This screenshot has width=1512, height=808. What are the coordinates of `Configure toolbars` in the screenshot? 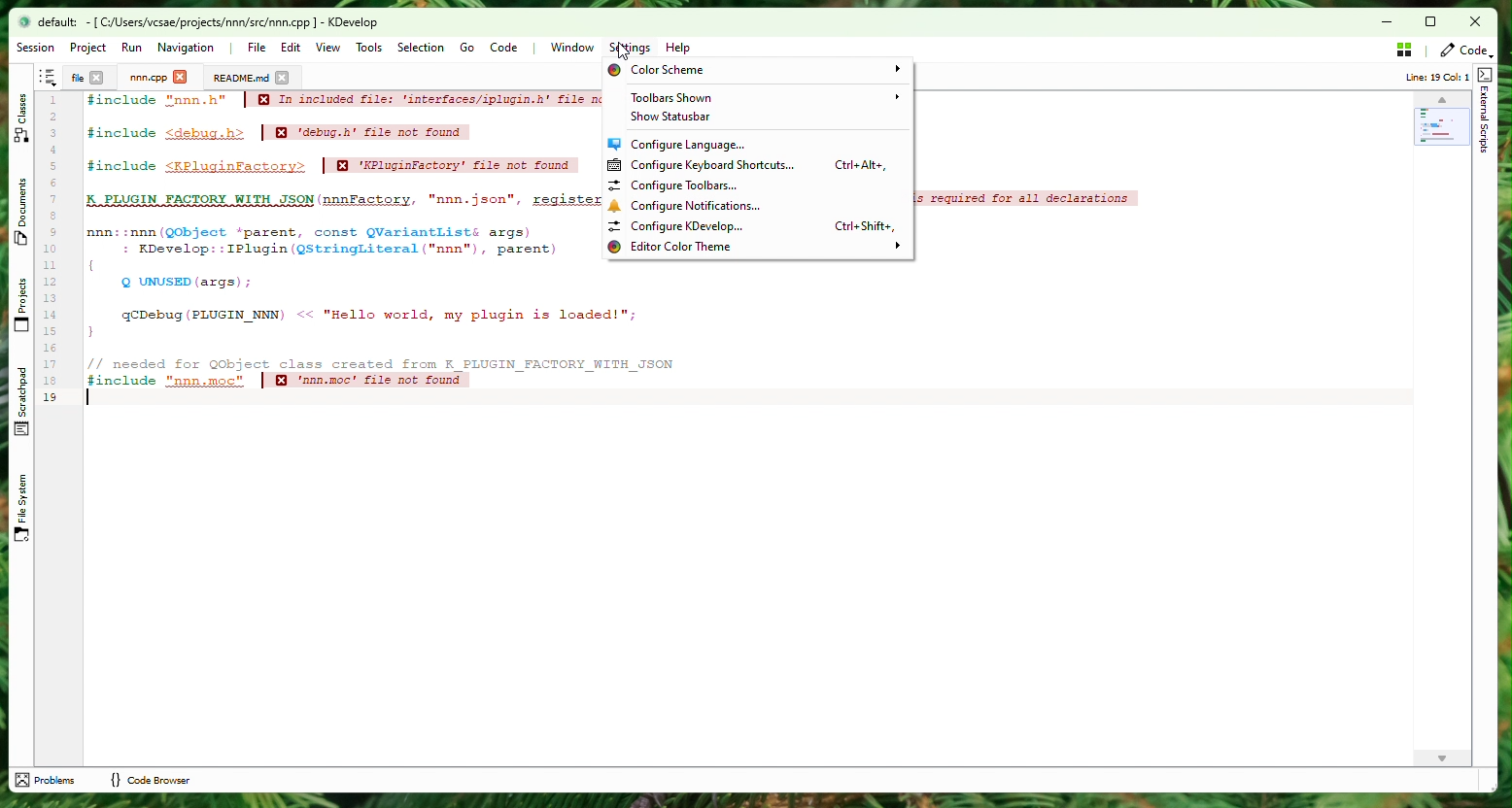 It's located at (749, 185).